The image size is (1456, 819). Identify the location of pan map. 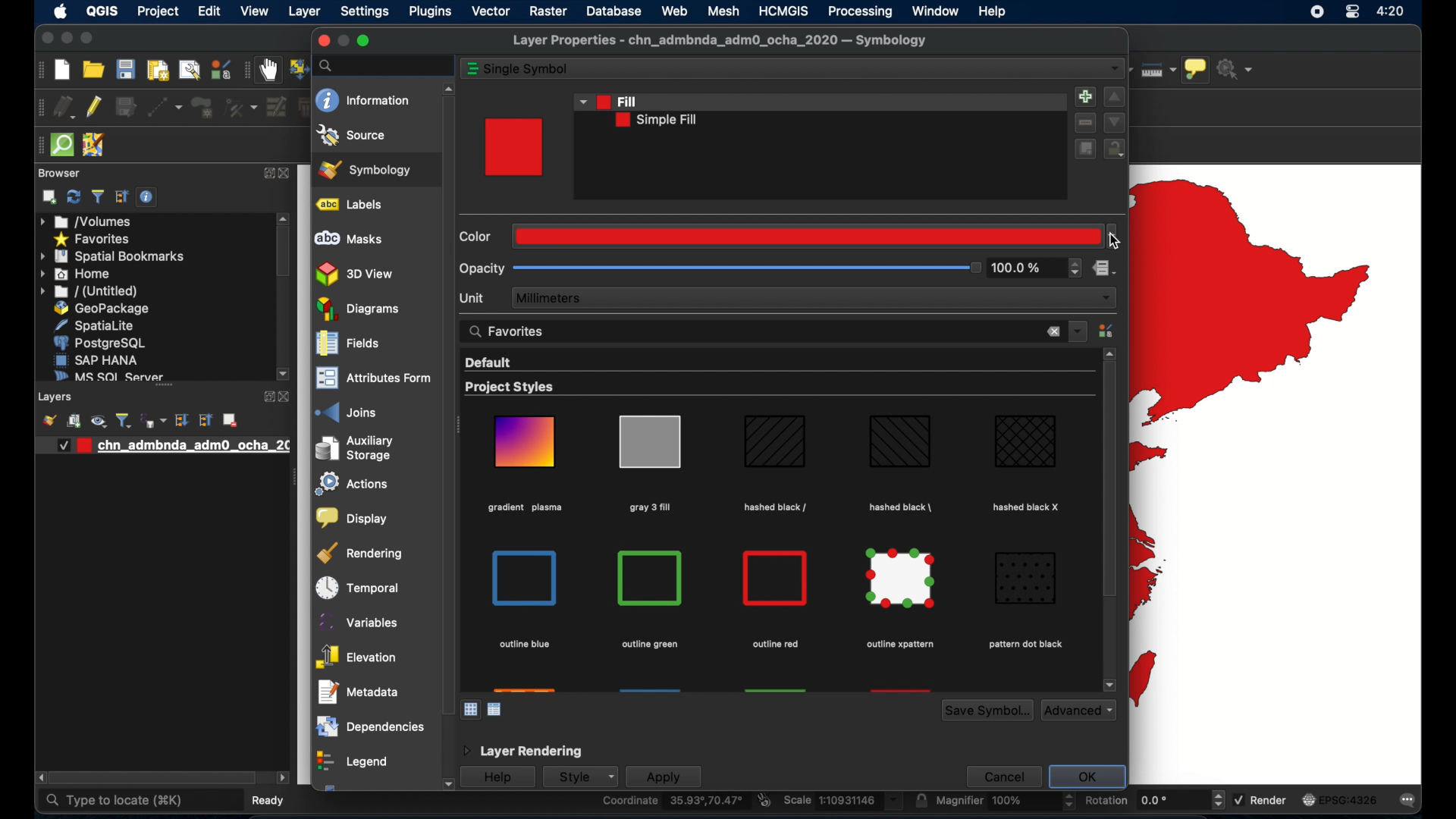
(268, 71).